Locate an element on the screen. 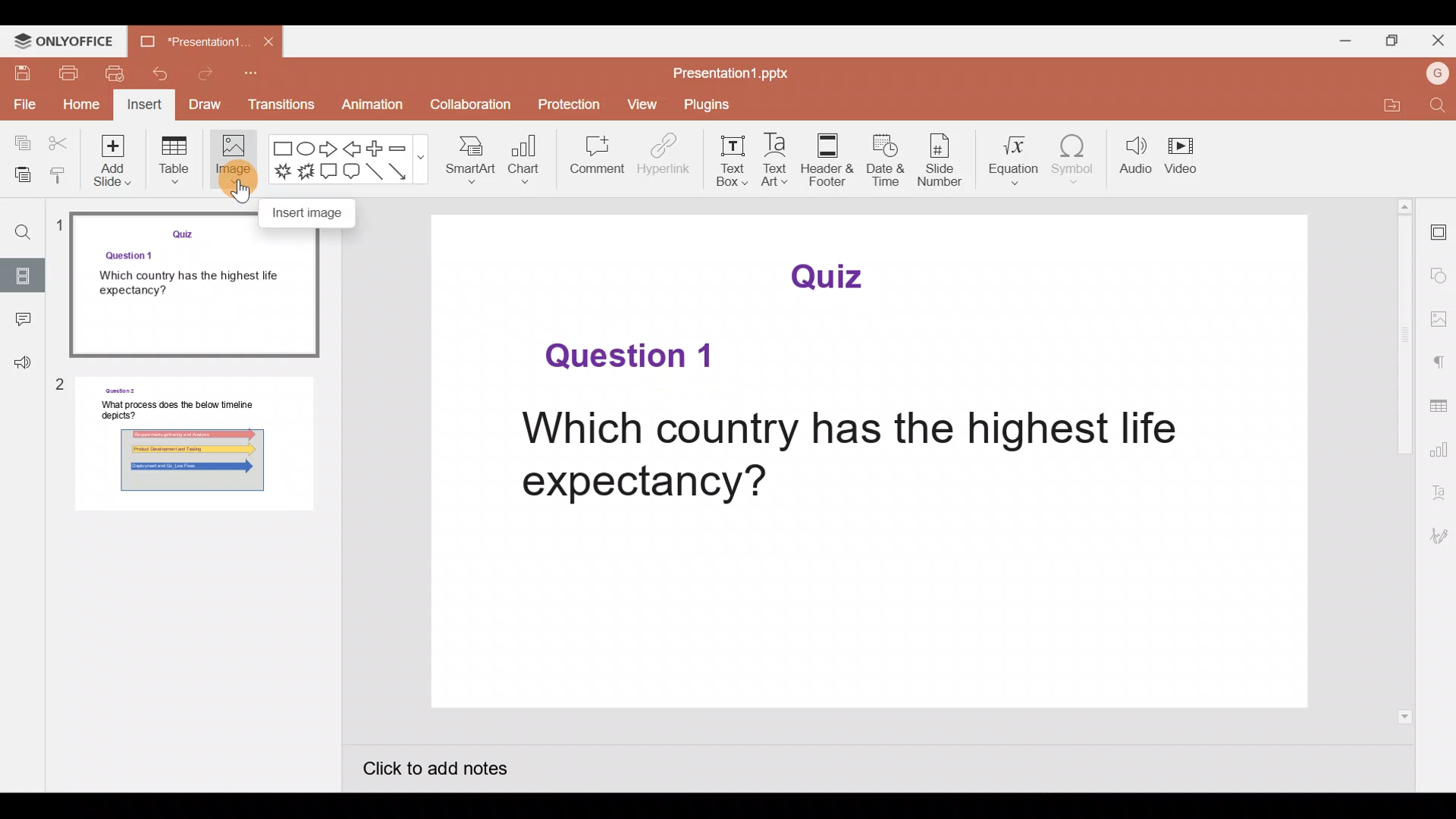 The height and width of the screenshot is (819, 1456). Cut is located at coordinates (60, 143).